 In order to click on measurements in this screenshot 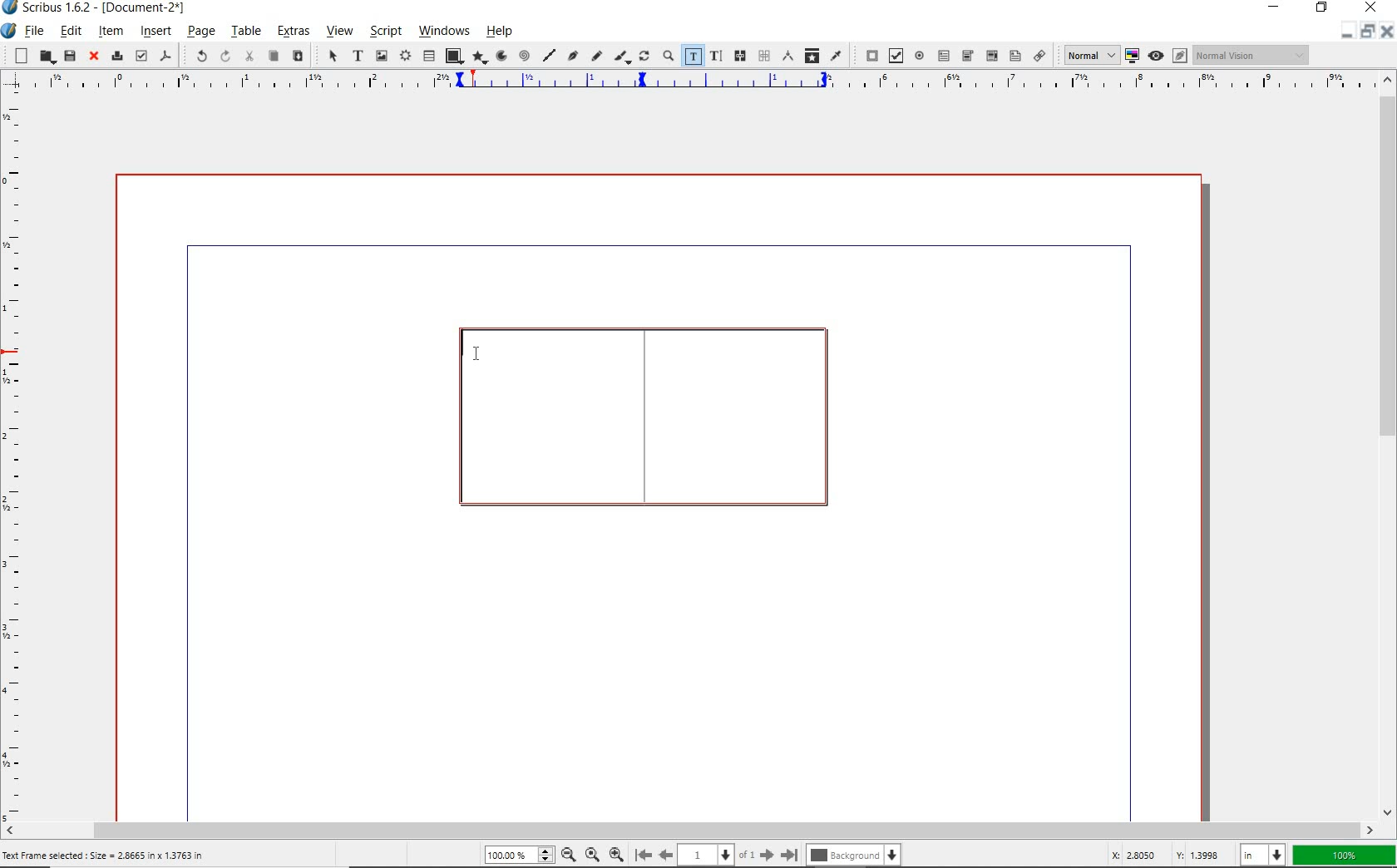, I will do `click(786, 57)`.